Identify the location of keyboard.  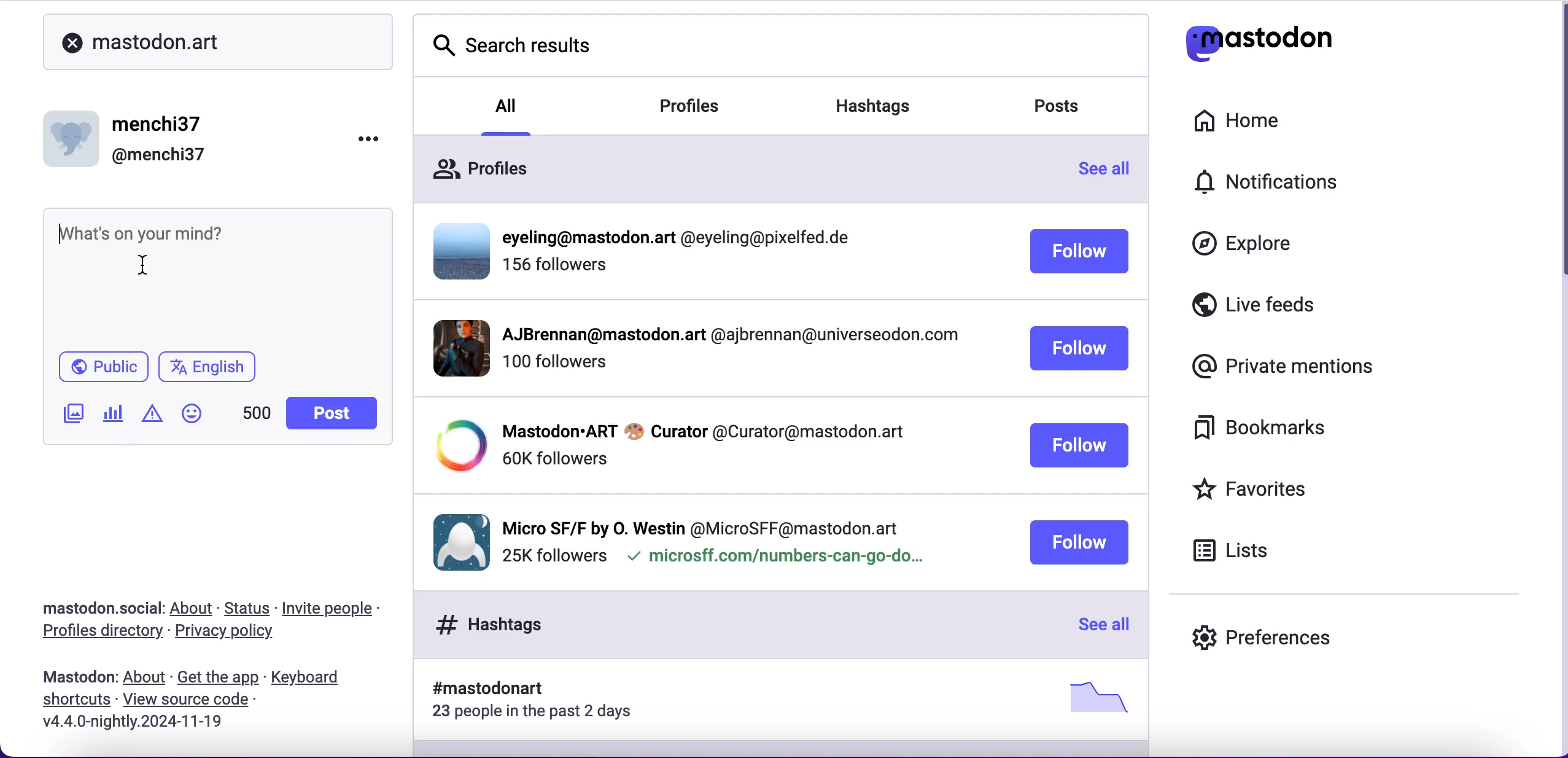
(309, 678).